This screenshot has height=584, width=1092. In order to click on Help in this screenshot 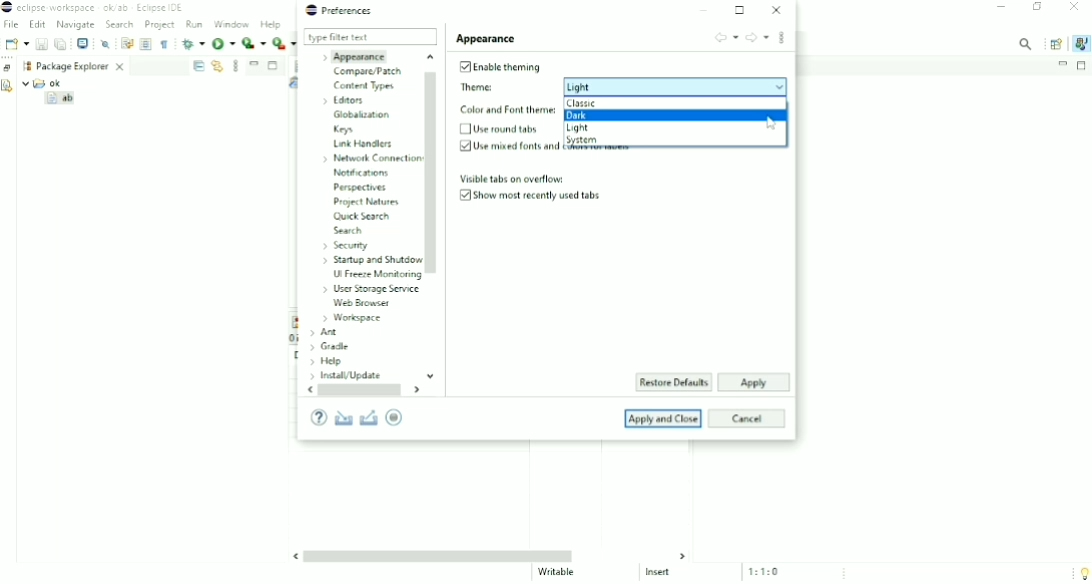, I will do `click(327, 362)`.